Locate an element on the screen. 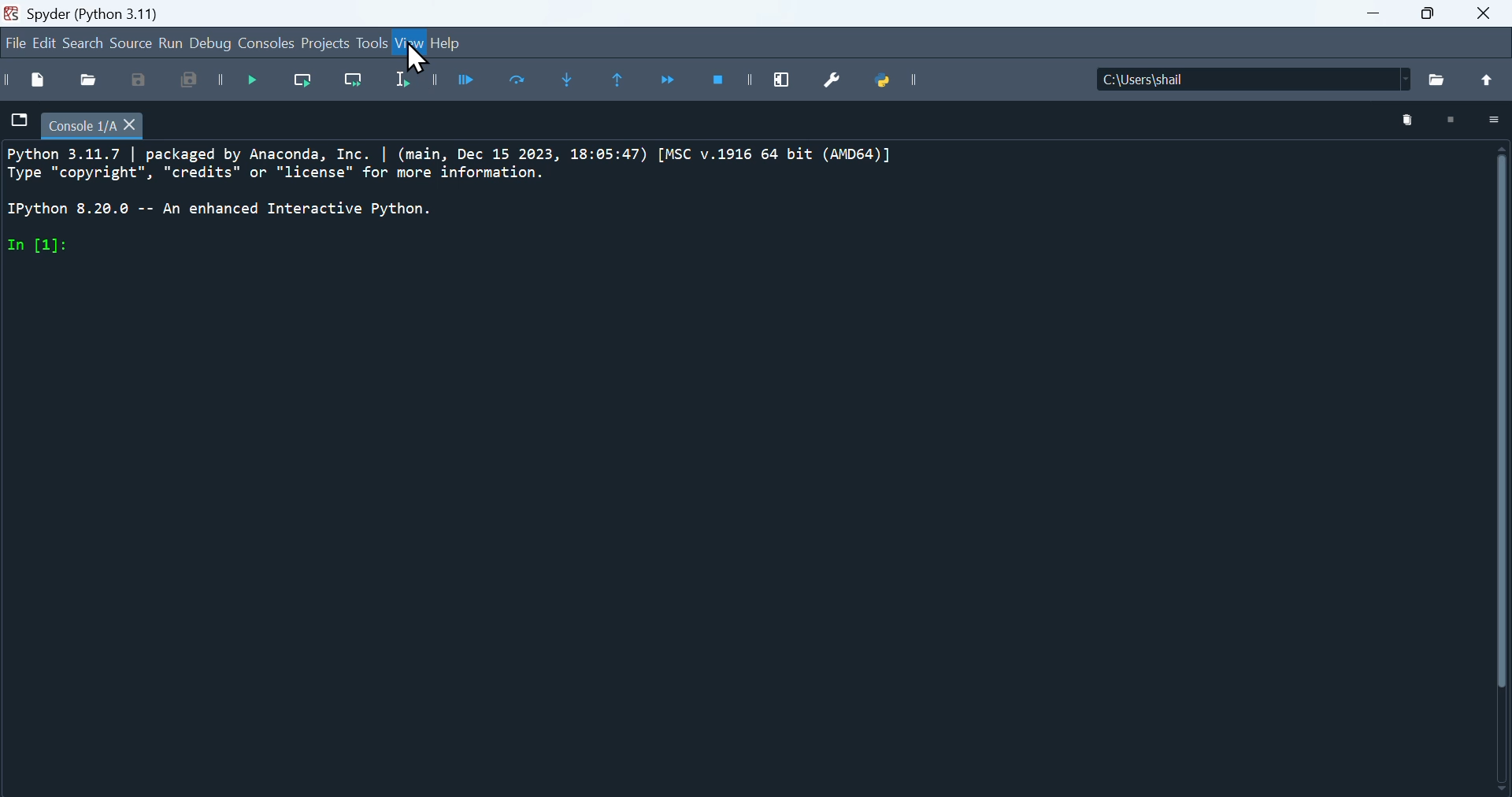  Help is located at coordinates (456, 45).